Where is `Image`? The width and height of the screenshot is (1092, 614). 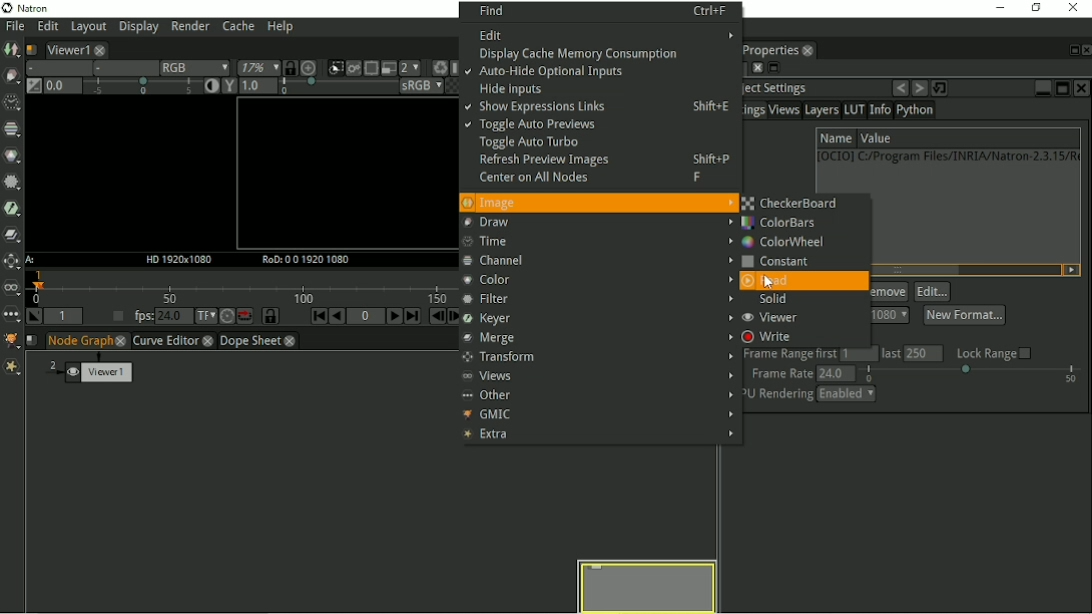
Image is located at coordinates (12, 50).